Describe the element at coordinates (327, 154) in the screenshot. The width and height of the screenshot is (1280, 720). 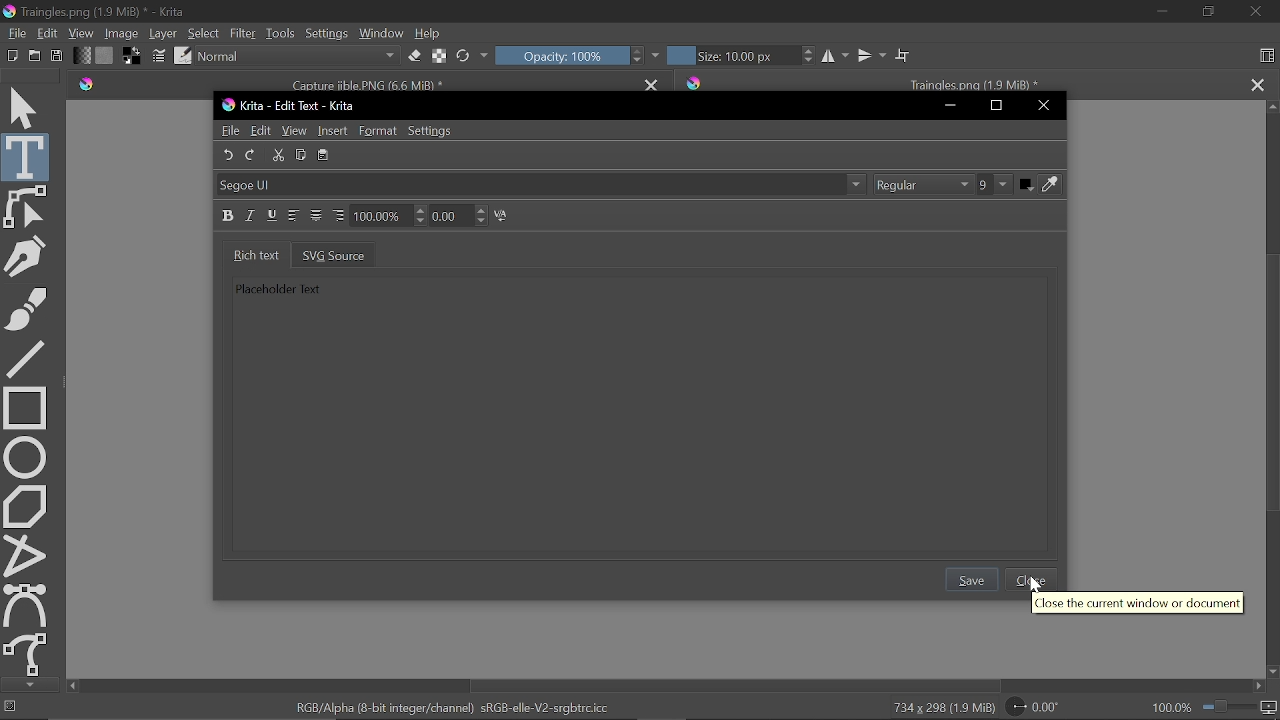
I see `Paste` at that location.